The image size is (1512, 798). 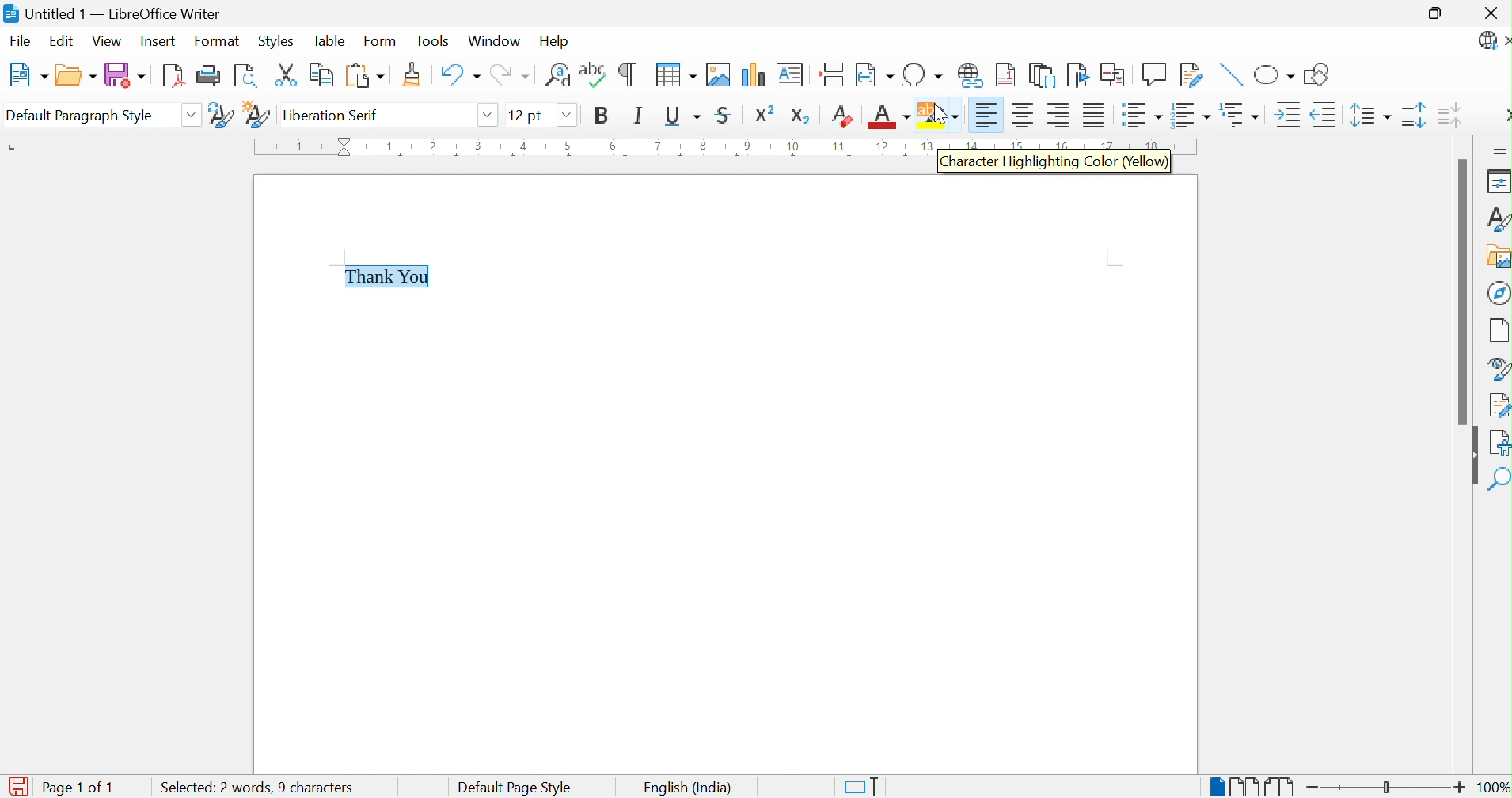 What do you see at coordinates (490, 116) in the screenshot?
I see `Drop Down` at bounding box center [490, 116].